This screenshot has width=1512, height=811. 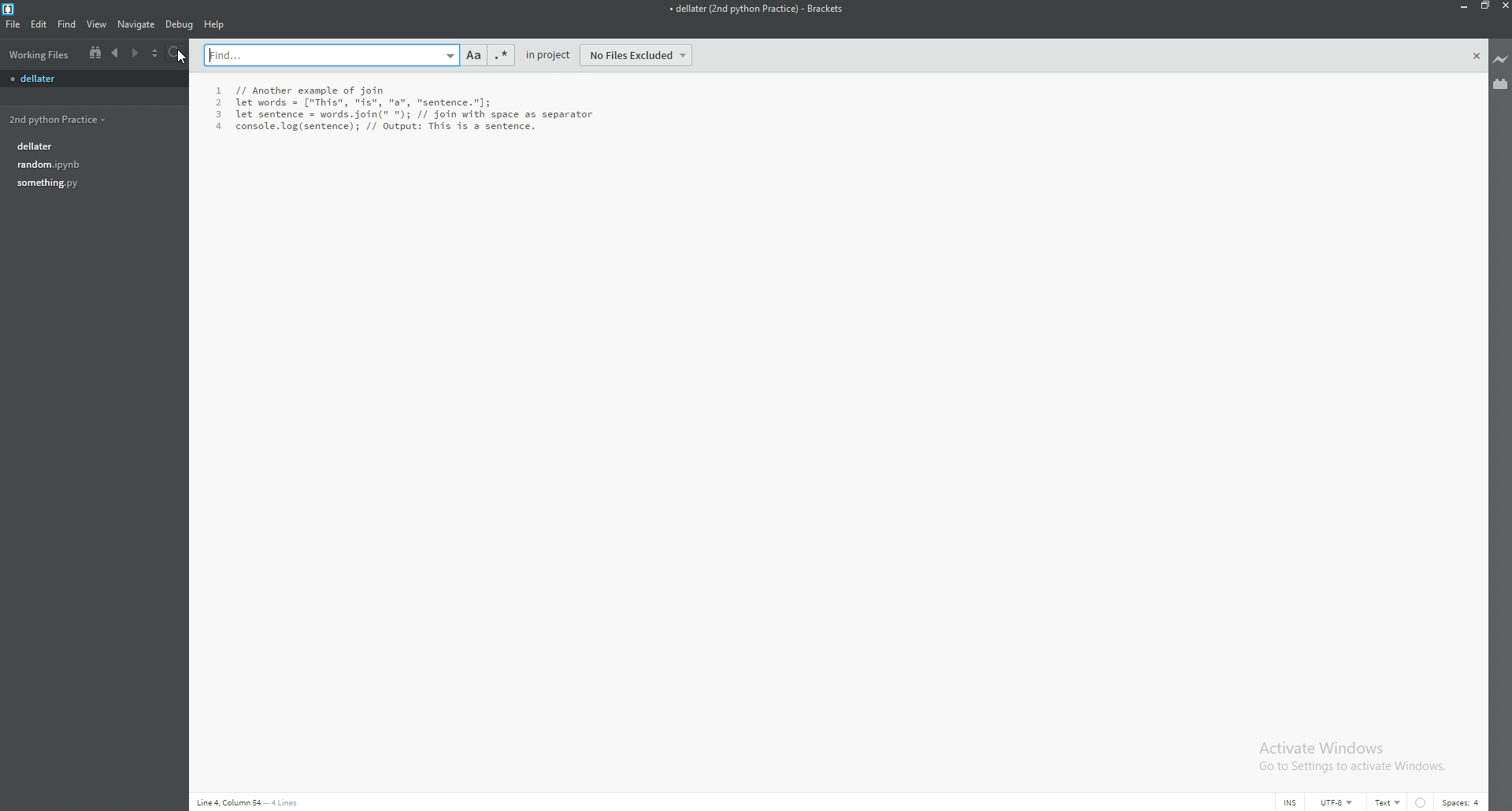 What do you see at coordinates (254, 799) in the screenshot?
I see `Line 4,Colum 54- 4lines` at bounding box center [254, 799].